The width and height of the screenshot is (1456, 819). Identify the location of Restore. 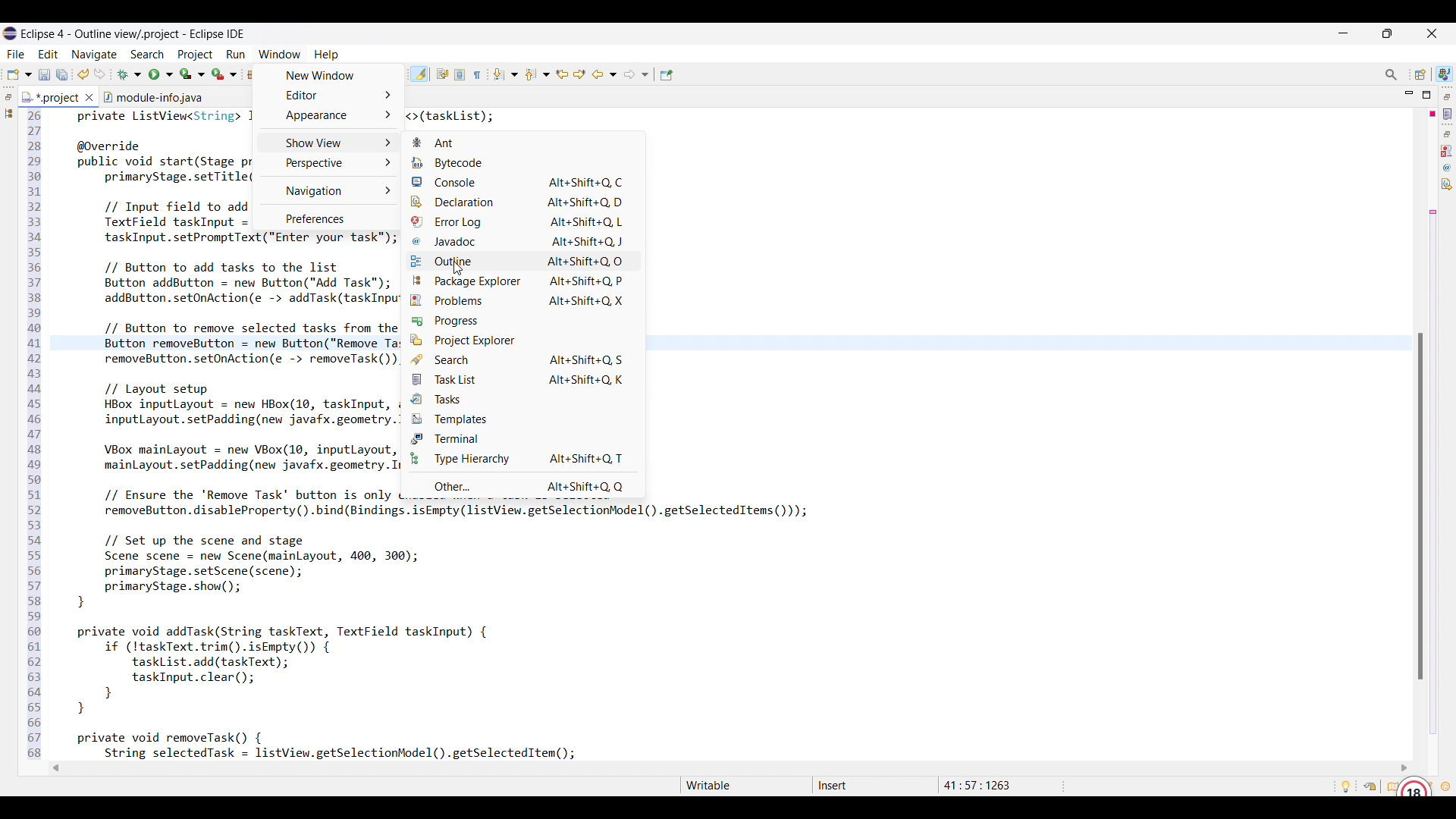
(8, 97).